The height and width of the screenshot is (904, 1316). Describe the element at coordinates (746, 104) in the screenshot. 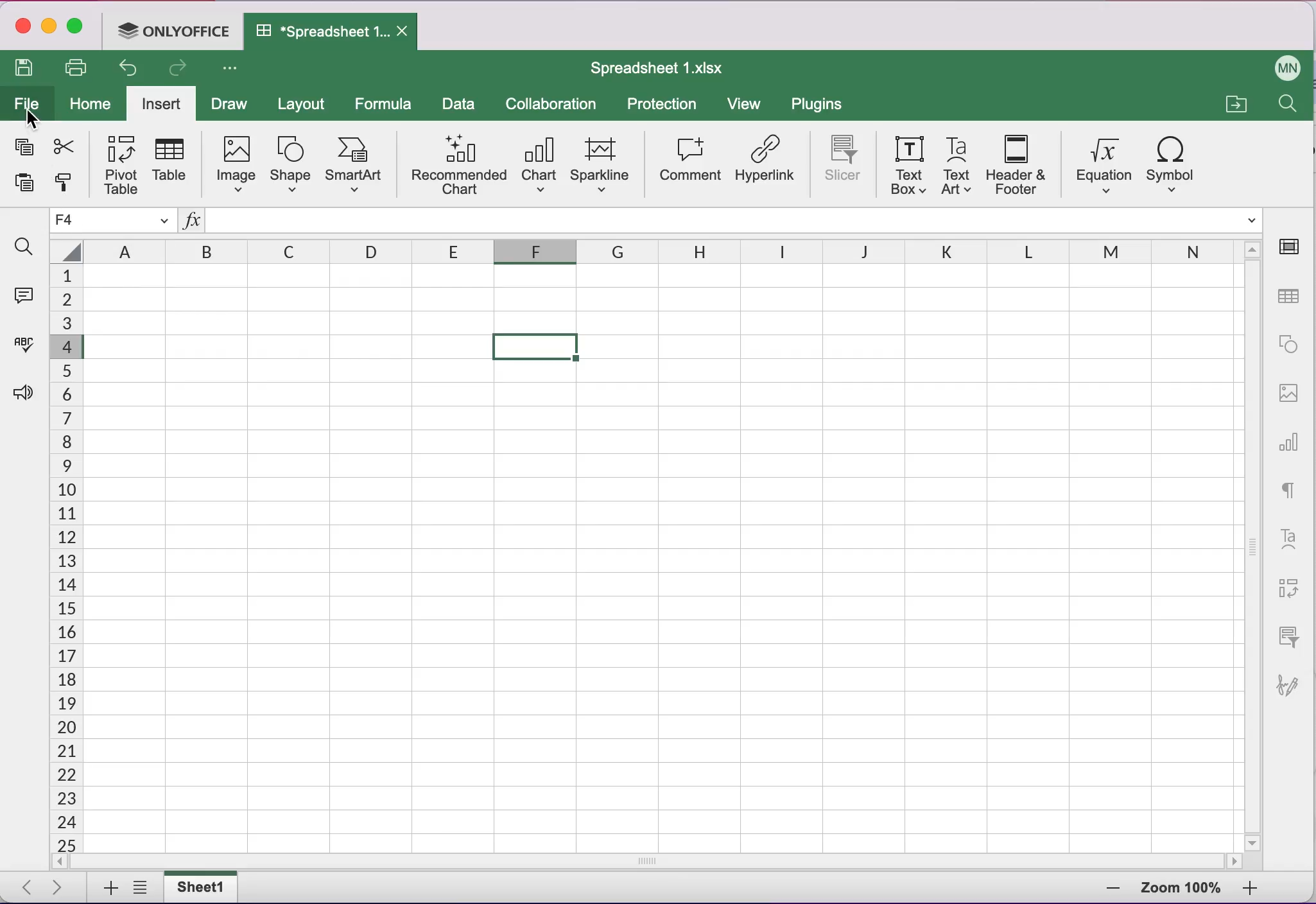

I see `view` at that location.